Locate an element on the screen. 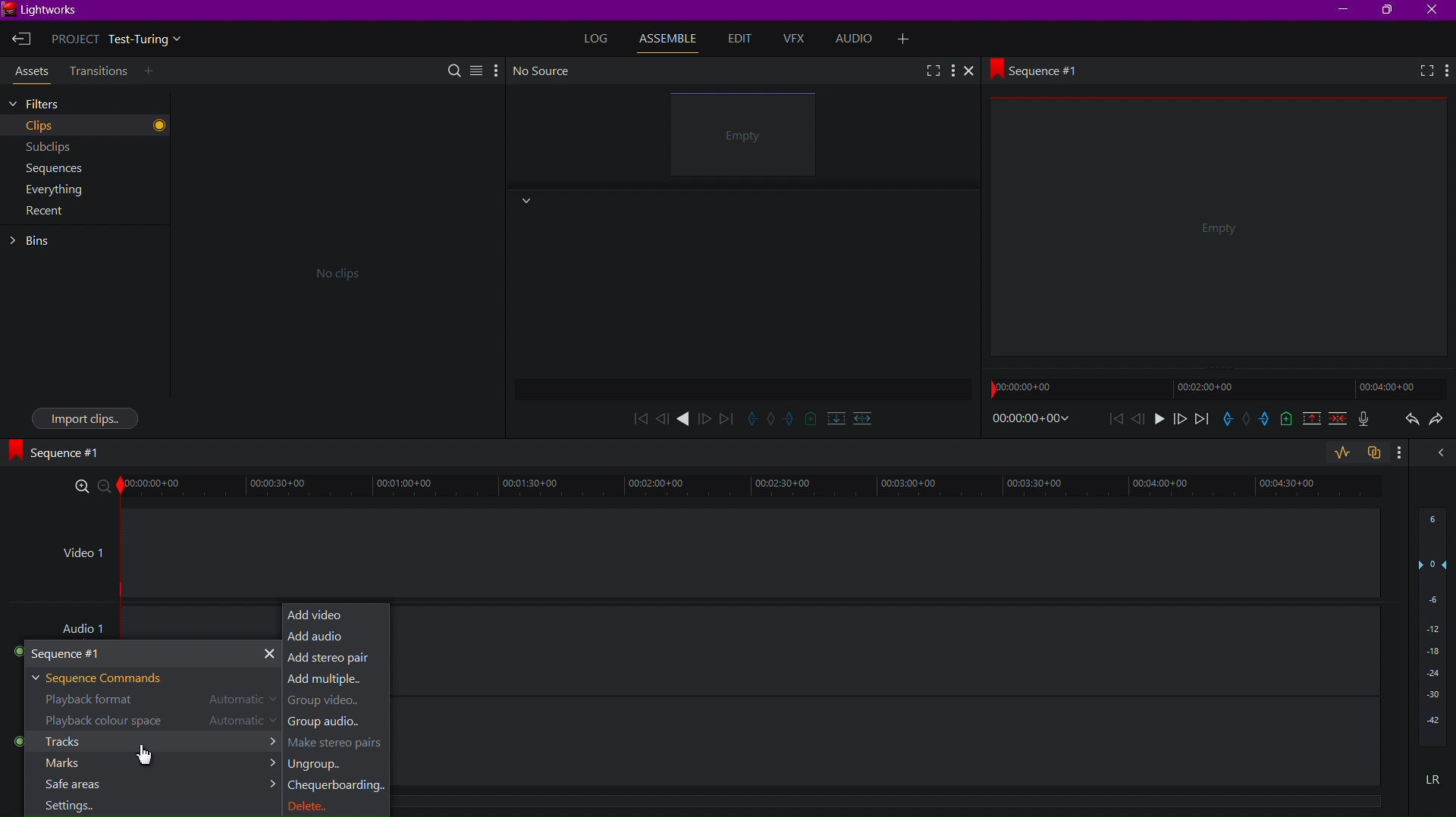 Image resolution: width=1456 pixels, height=817 pixels. Audio is located at coordinates (859, 39).